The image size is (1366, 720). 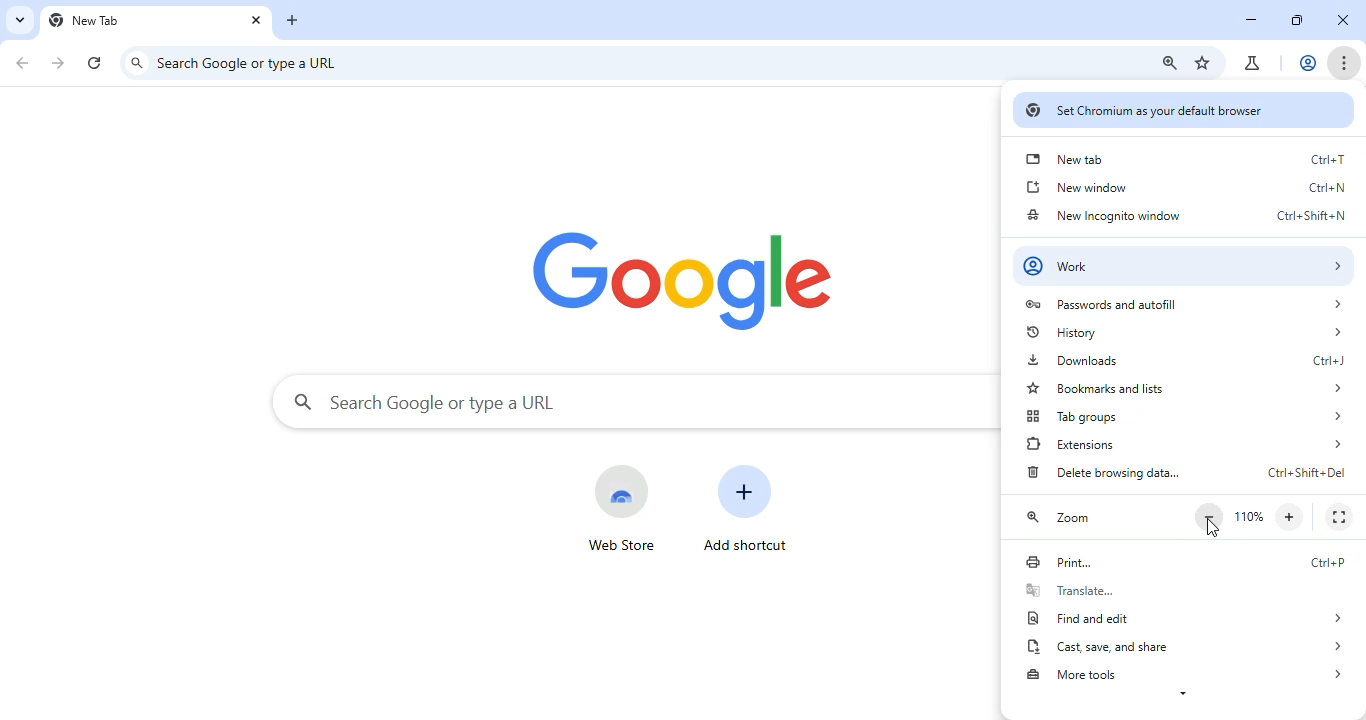 I want to click on delete browsing data, so click(x=1185, y=473).